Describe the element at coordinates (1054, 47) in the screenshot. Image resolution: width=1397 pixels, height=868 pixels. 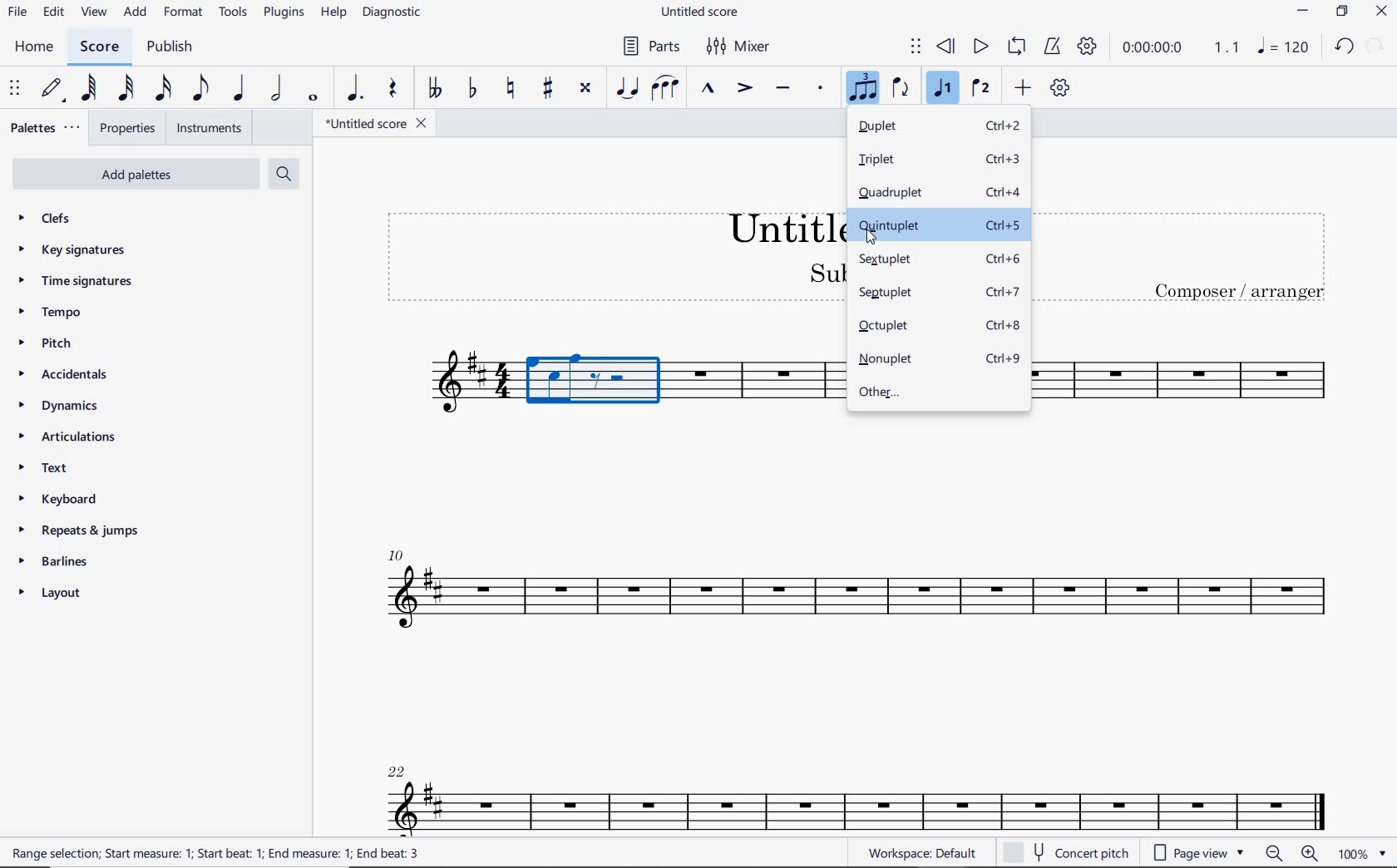
I see `METRONOME` at that location.